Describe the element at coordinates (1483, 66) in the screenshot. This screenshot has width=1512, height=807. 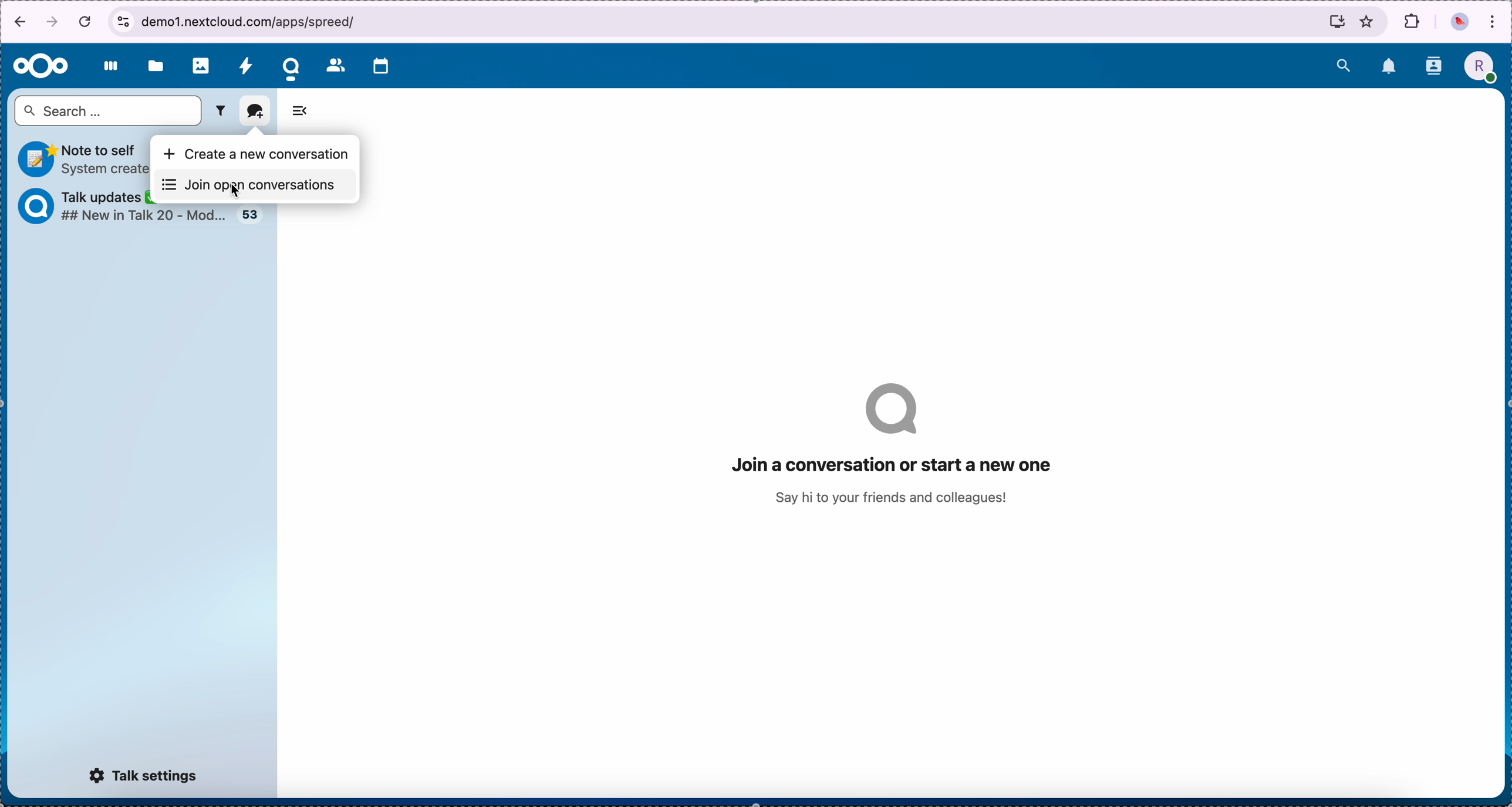
I see `profile picture` at that location.